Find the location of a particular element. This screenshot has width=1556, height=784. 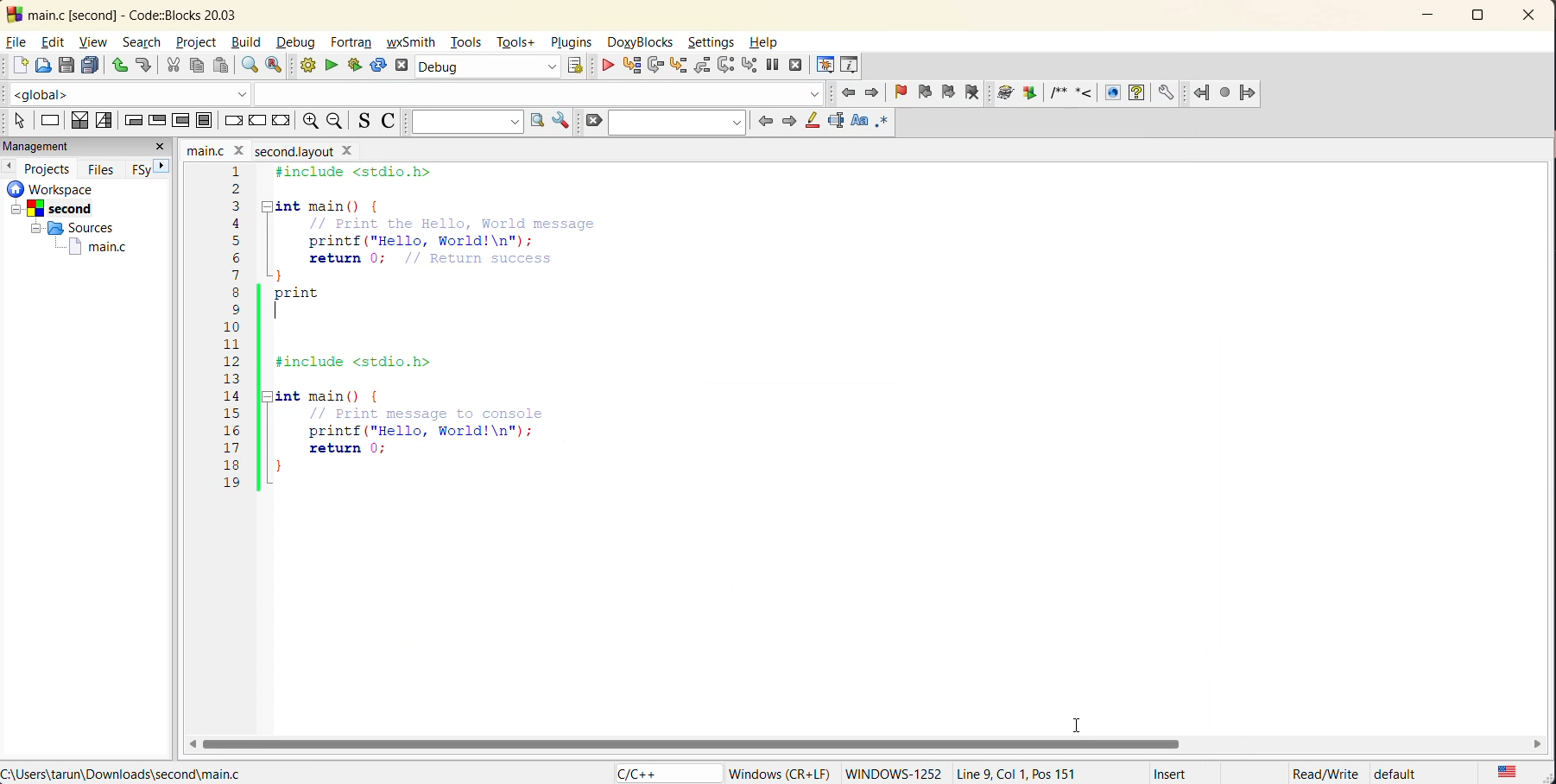

previous bookmark is located at coordinates (923, 92).